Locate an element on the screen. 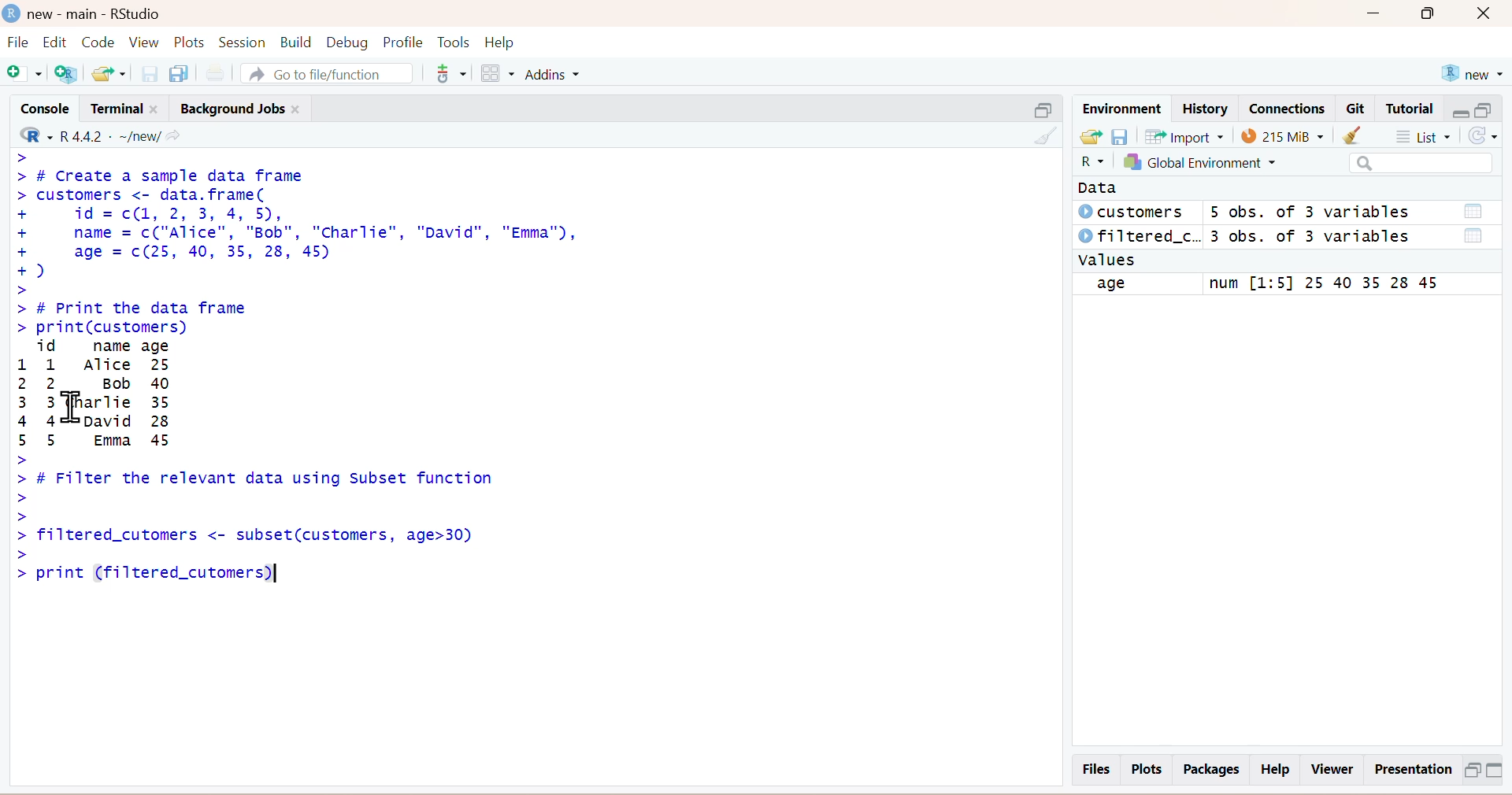 The image size is (1512, 795). Build is located at coordinates (292, 42).